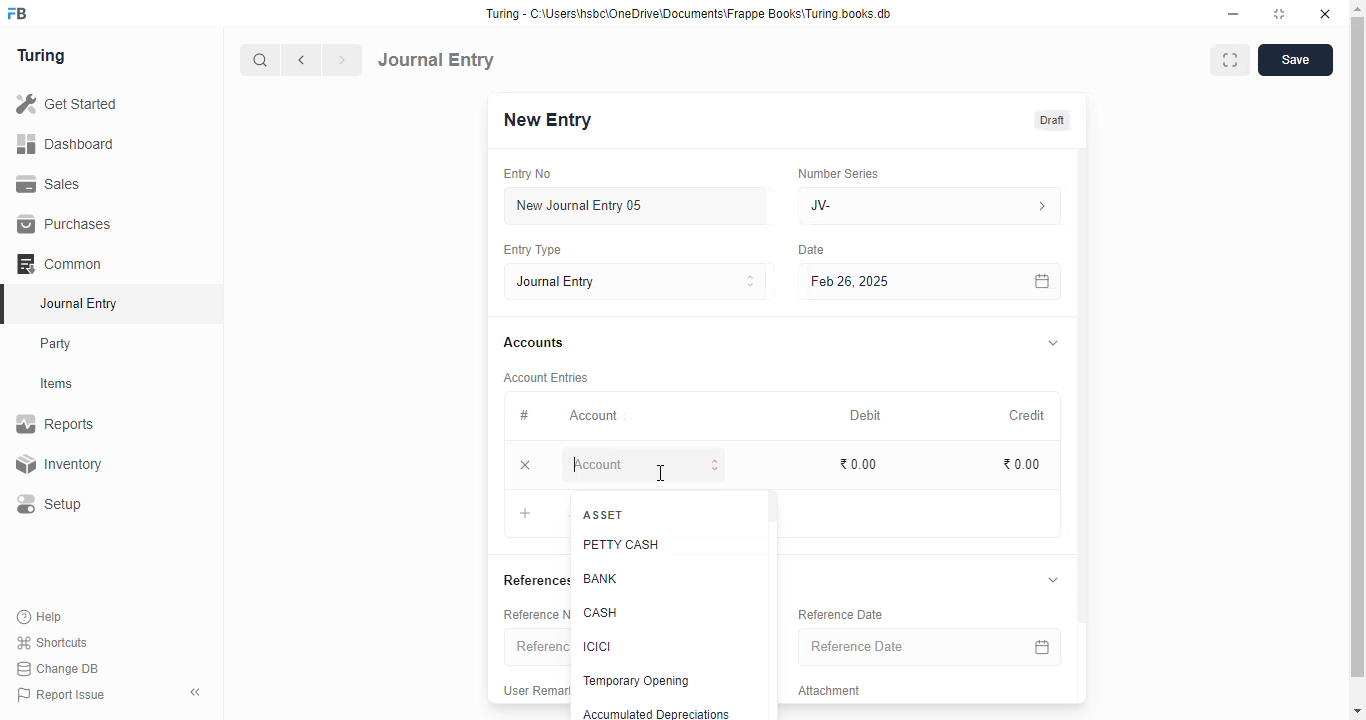 The height and width of the screenshot is (720, 1366). I want to click on Date, so click(812, 249).